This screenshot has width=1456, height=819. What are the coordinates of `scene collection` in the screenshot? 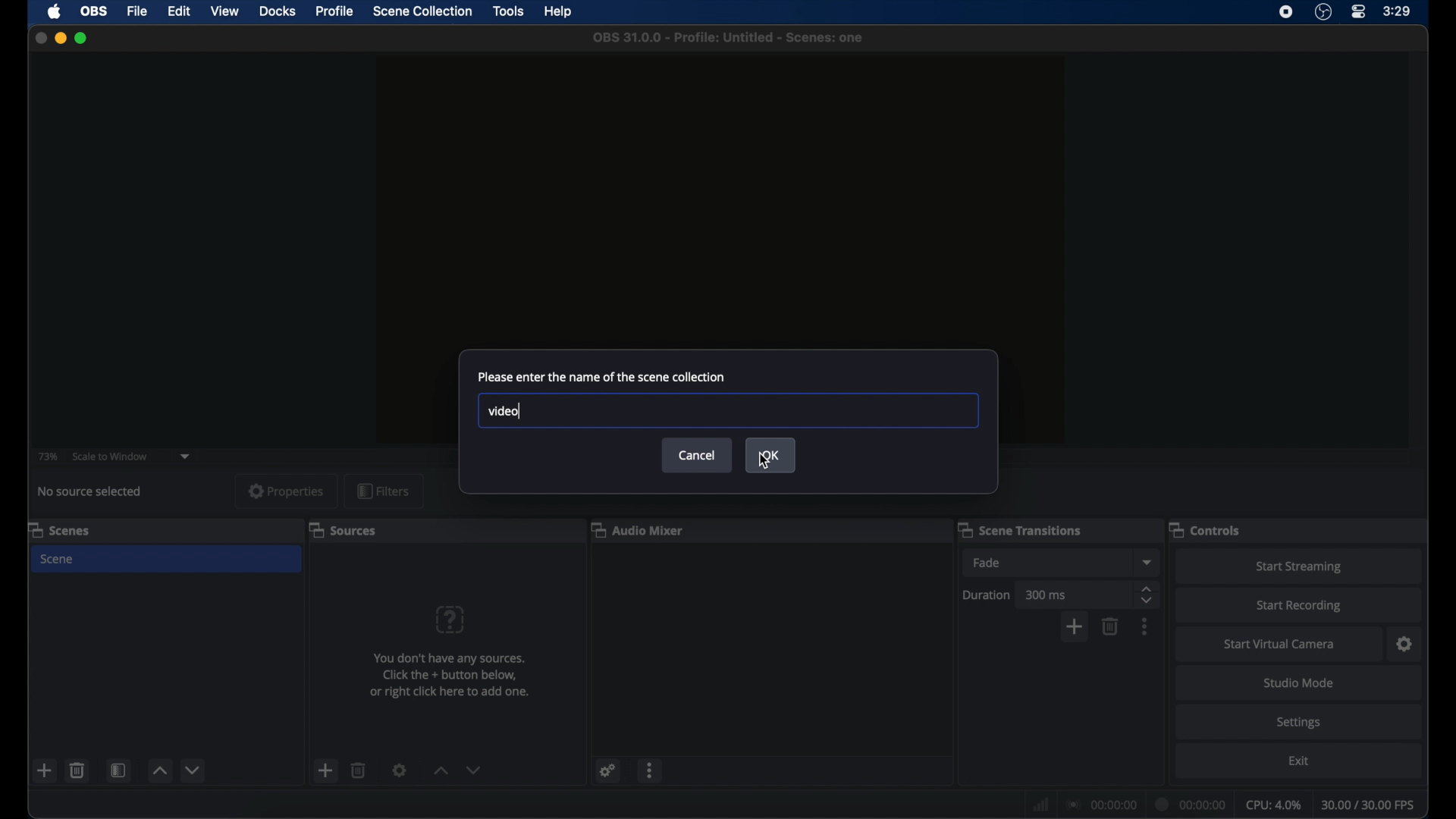 It's located at (423, 11).